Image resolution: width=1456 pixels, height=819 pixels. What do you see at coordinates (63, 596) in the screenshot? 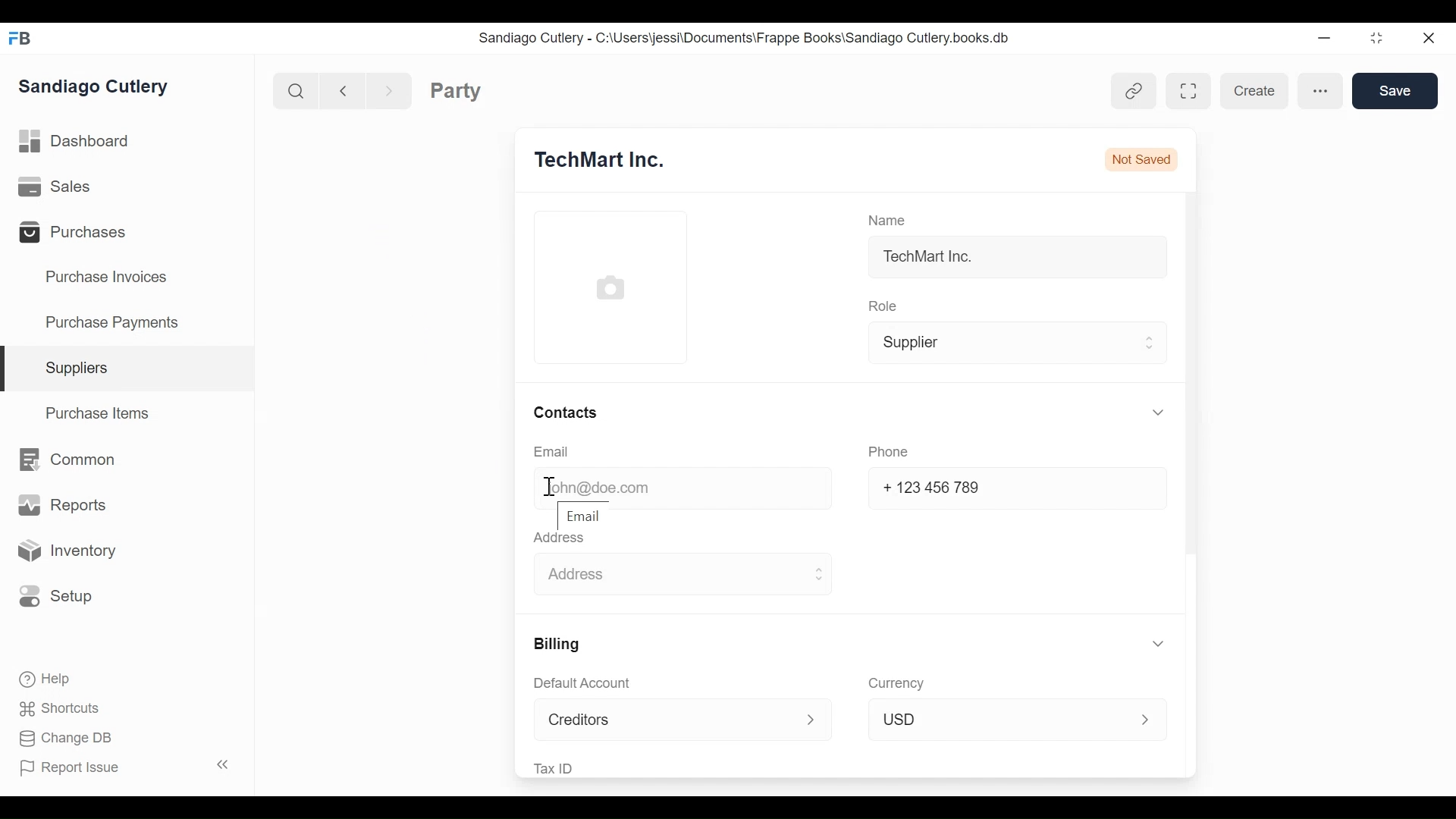
I see `Setup` at bounding box center [63, 596].